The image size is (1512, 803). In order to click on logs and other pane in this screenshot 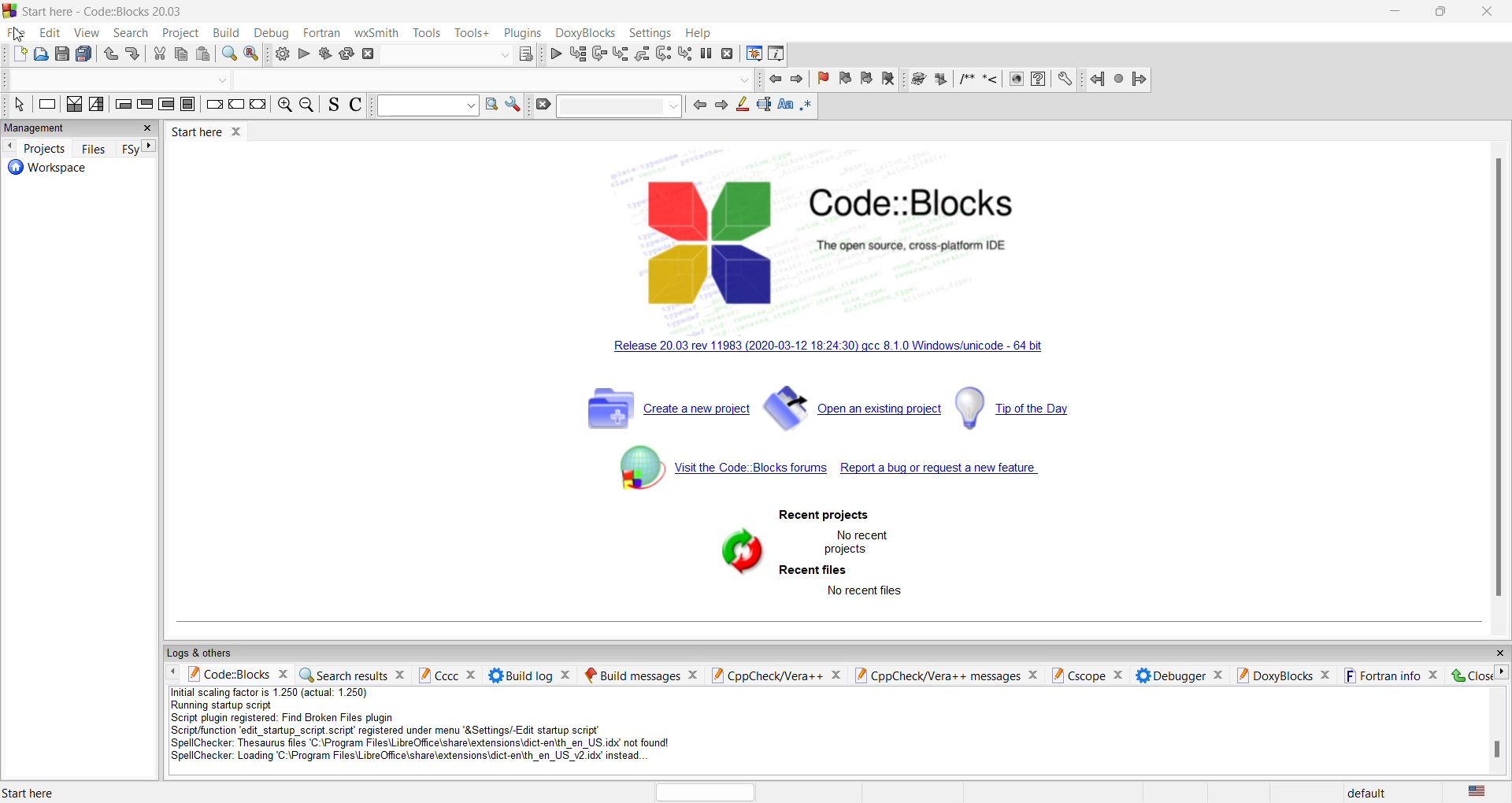, I will do `click(835, 652)`.